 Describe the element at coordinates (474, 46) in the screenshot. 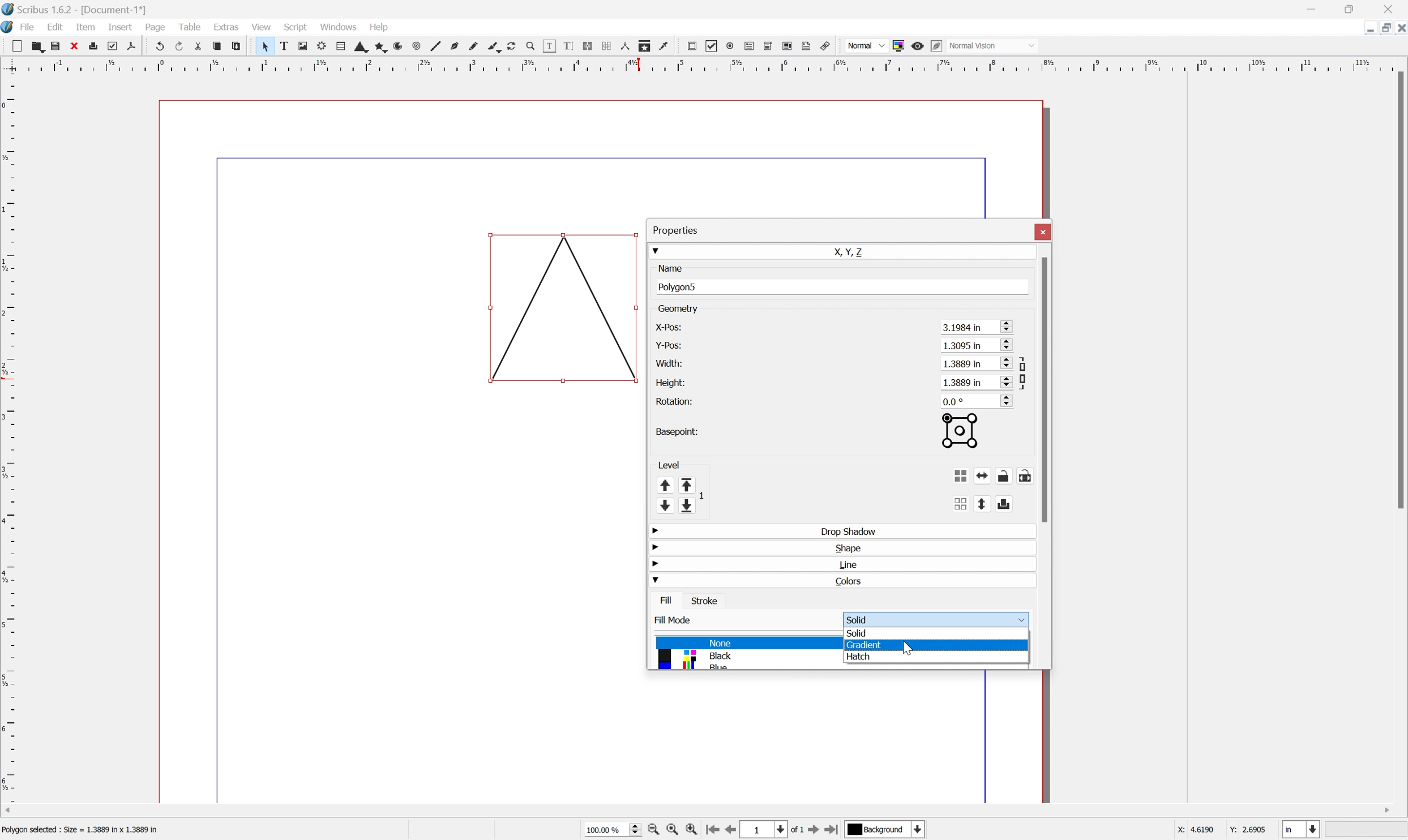

I see `Freehand line` at that location.